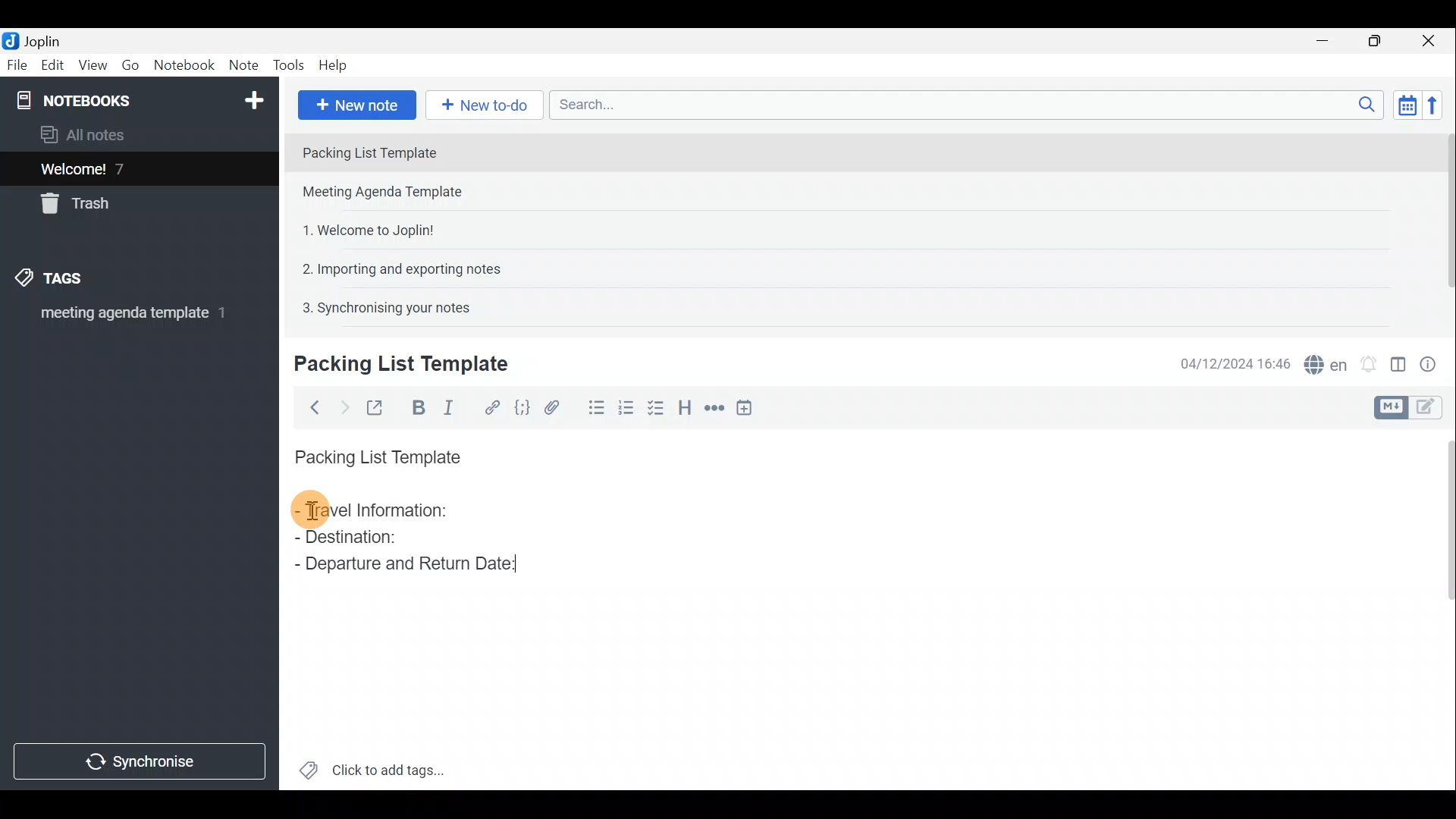 This screenshot has width=1456, height=819. What do you see at coordinates (130, 318) in the screenshot?
I see `meeting agenda template` at bounding box center [130, 318].